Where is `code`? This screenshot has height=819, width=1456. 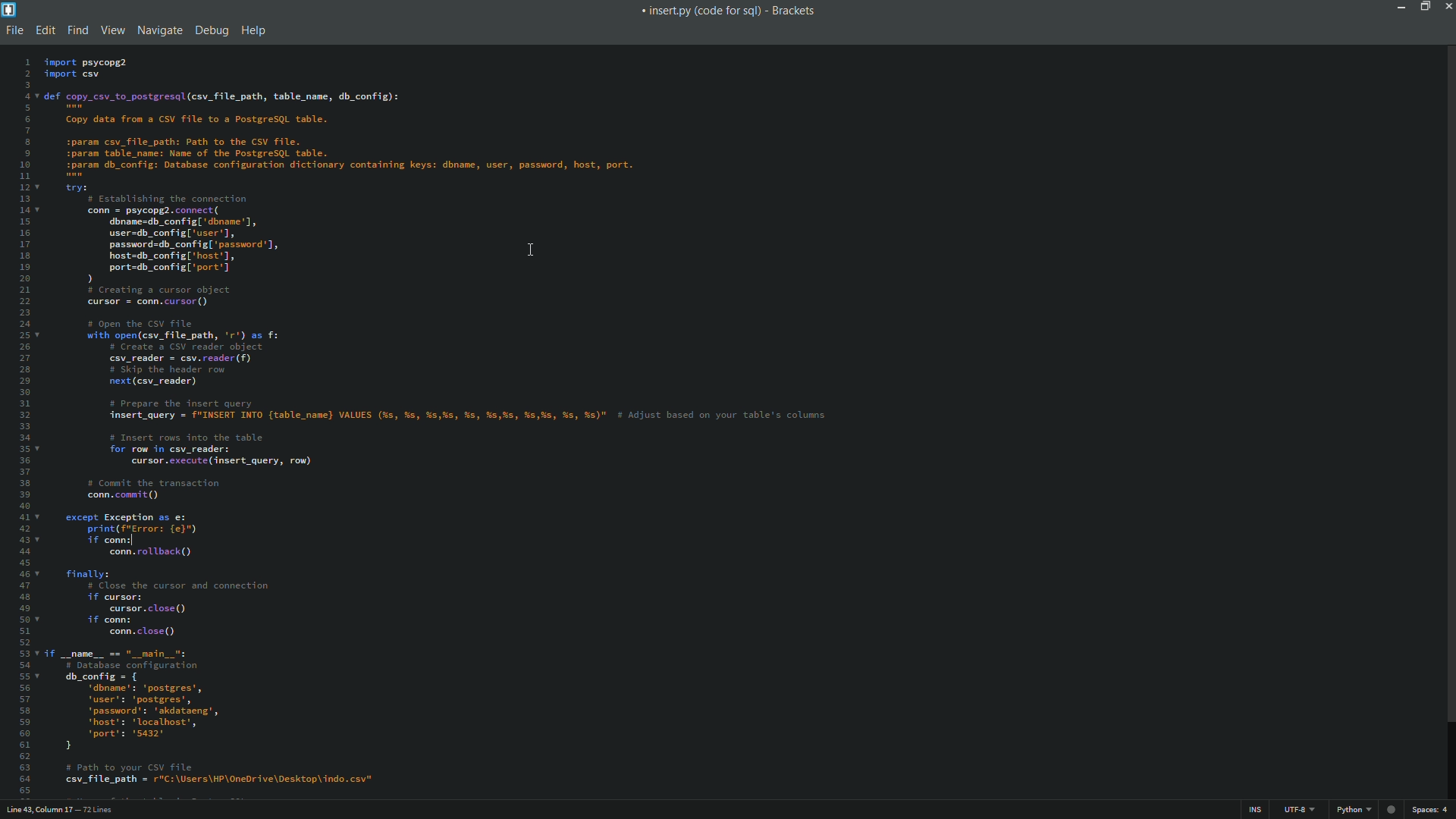
code is located at coordinates (515, 426).